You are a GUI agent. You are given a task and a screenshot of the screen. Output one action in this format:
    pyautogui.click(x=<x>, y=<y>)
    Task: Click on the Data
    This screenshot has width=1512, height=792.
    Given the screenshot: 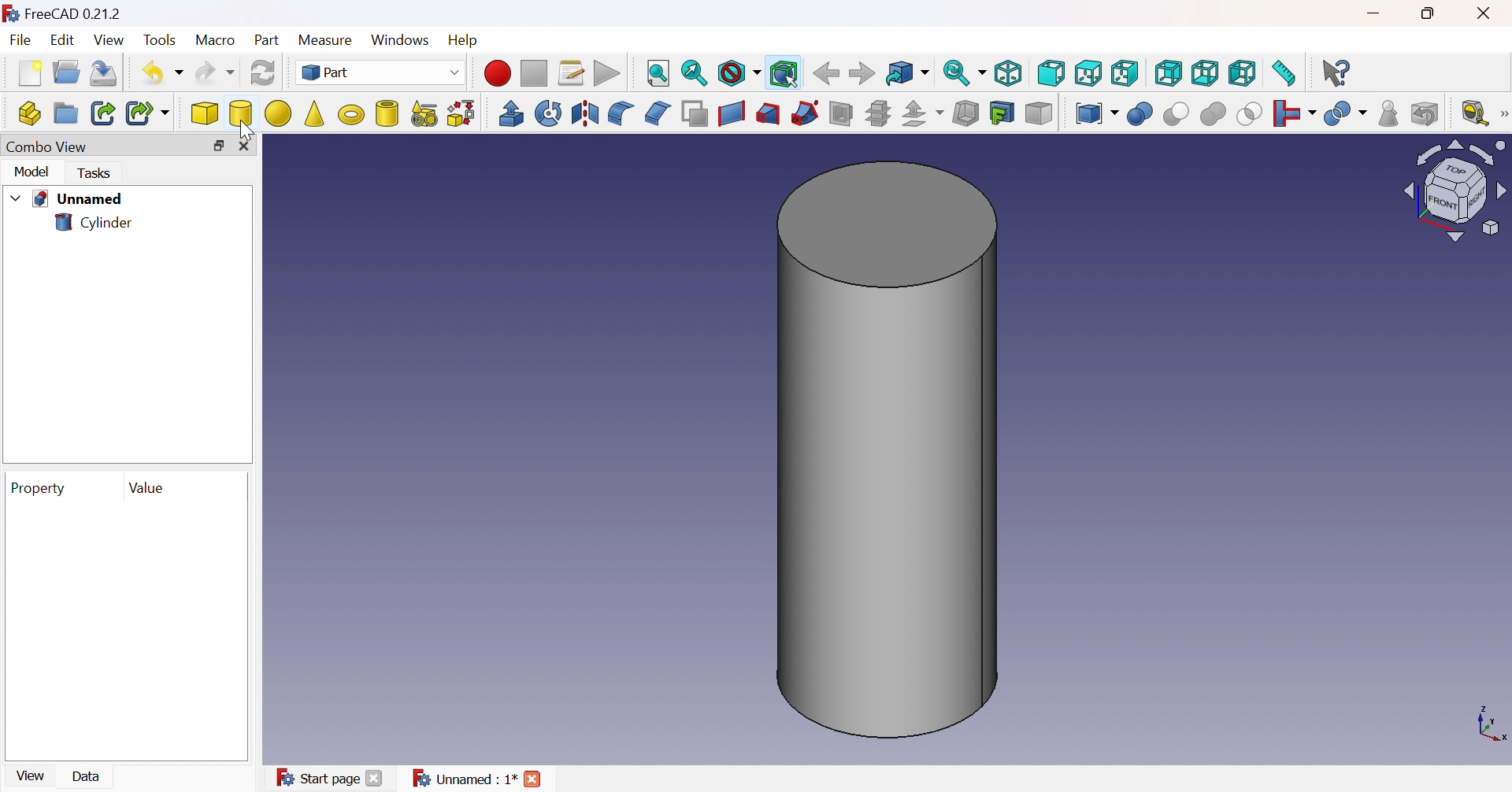 What is the action you would take?
    pyautogui.click(x=89, y=776)
    